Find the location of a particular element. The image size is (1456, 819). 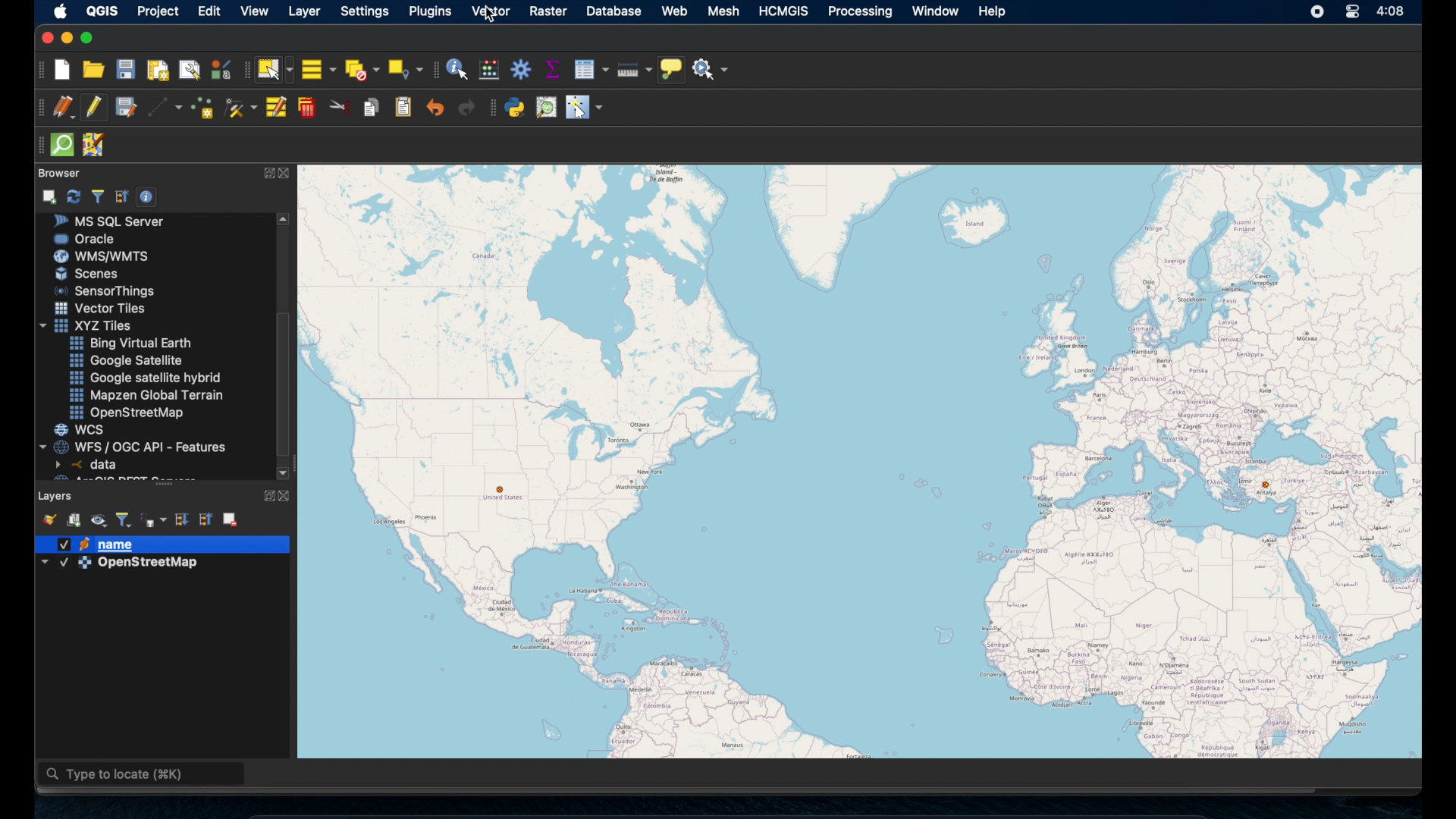

data is located at coordinates (89, 464).